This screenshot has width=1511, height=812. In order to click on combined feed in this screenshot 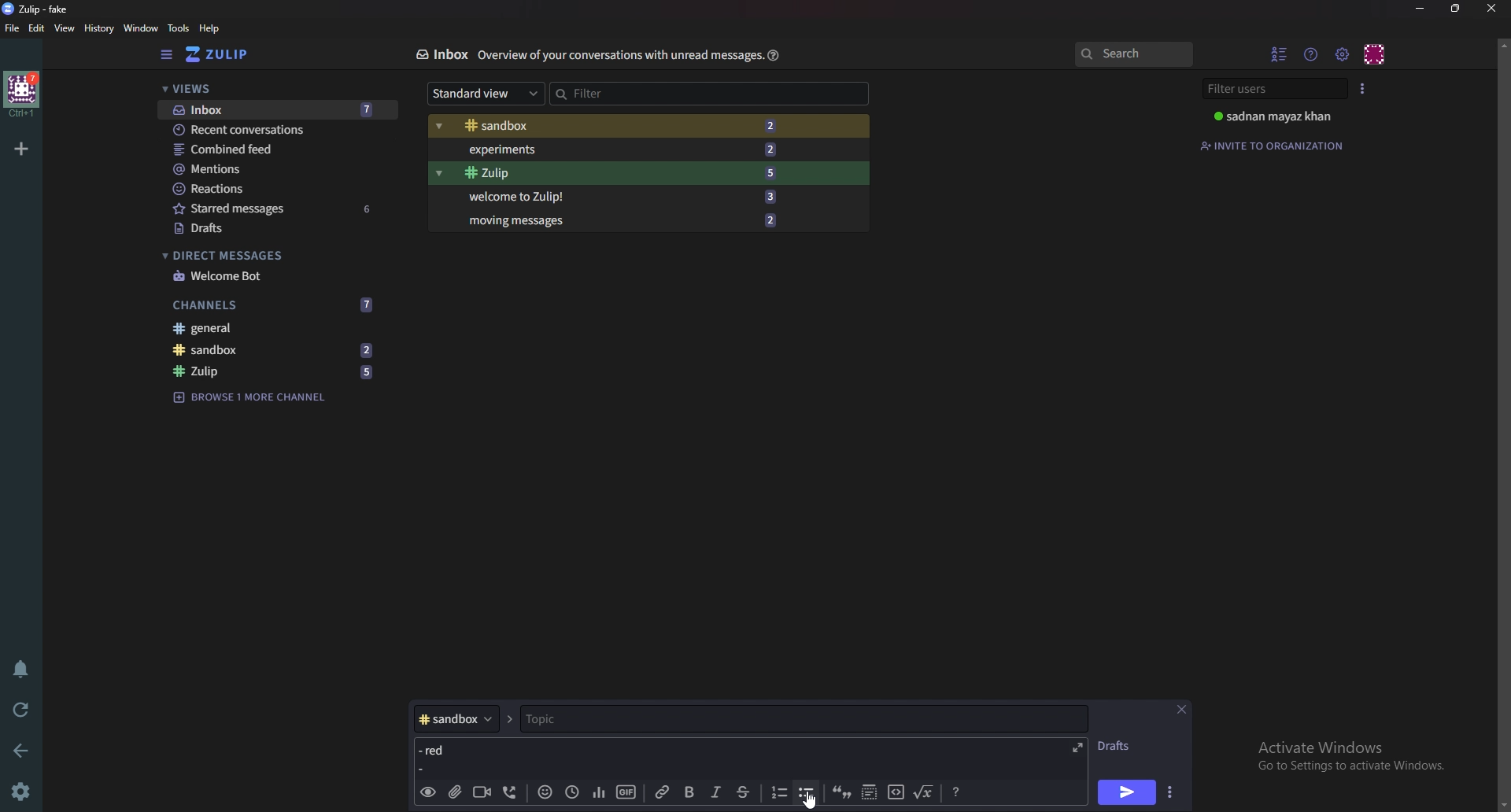, I will do `click(277, 149)`.